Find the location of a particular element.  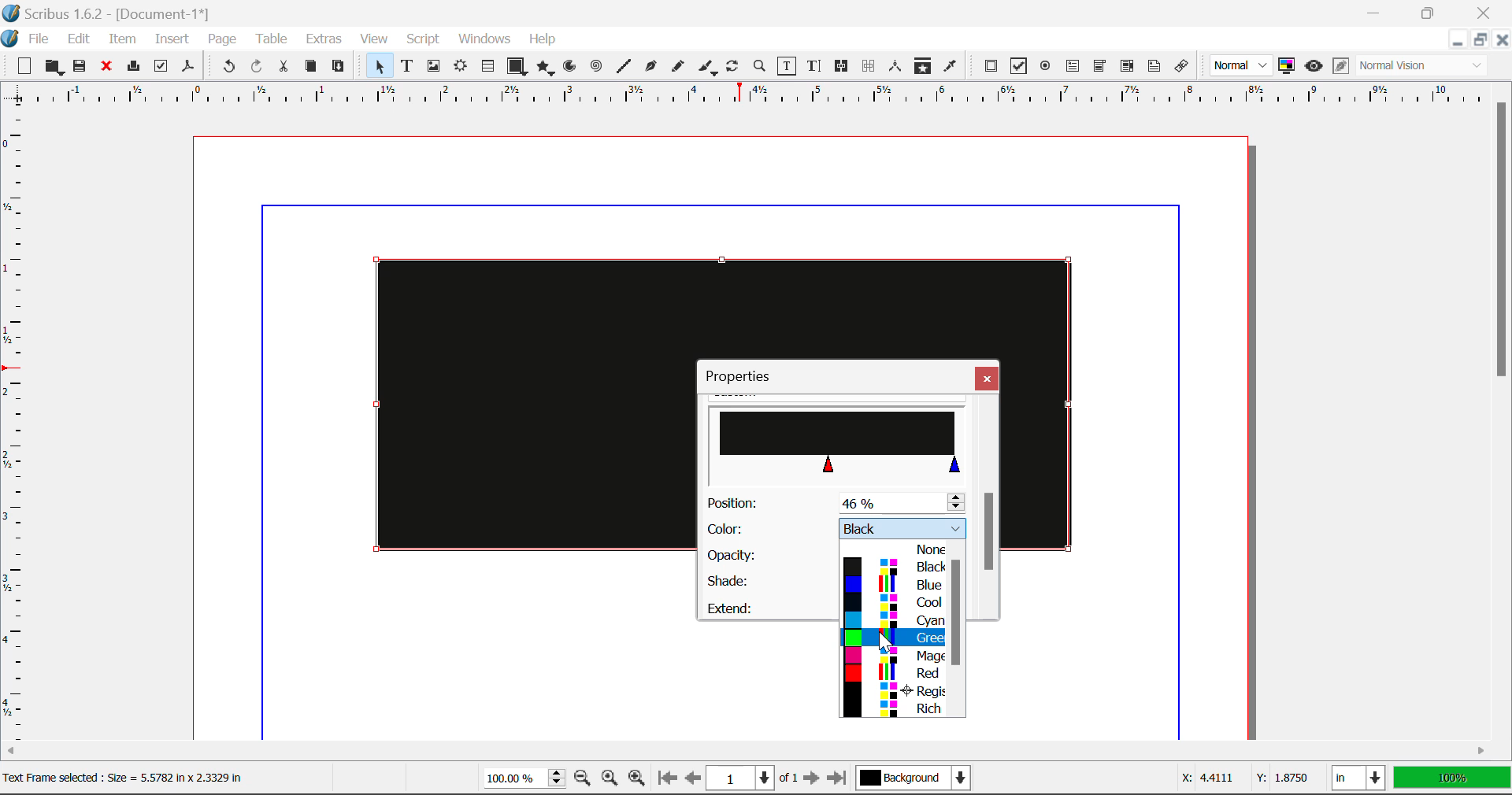

Arcs is located at coordinates (572, 70).